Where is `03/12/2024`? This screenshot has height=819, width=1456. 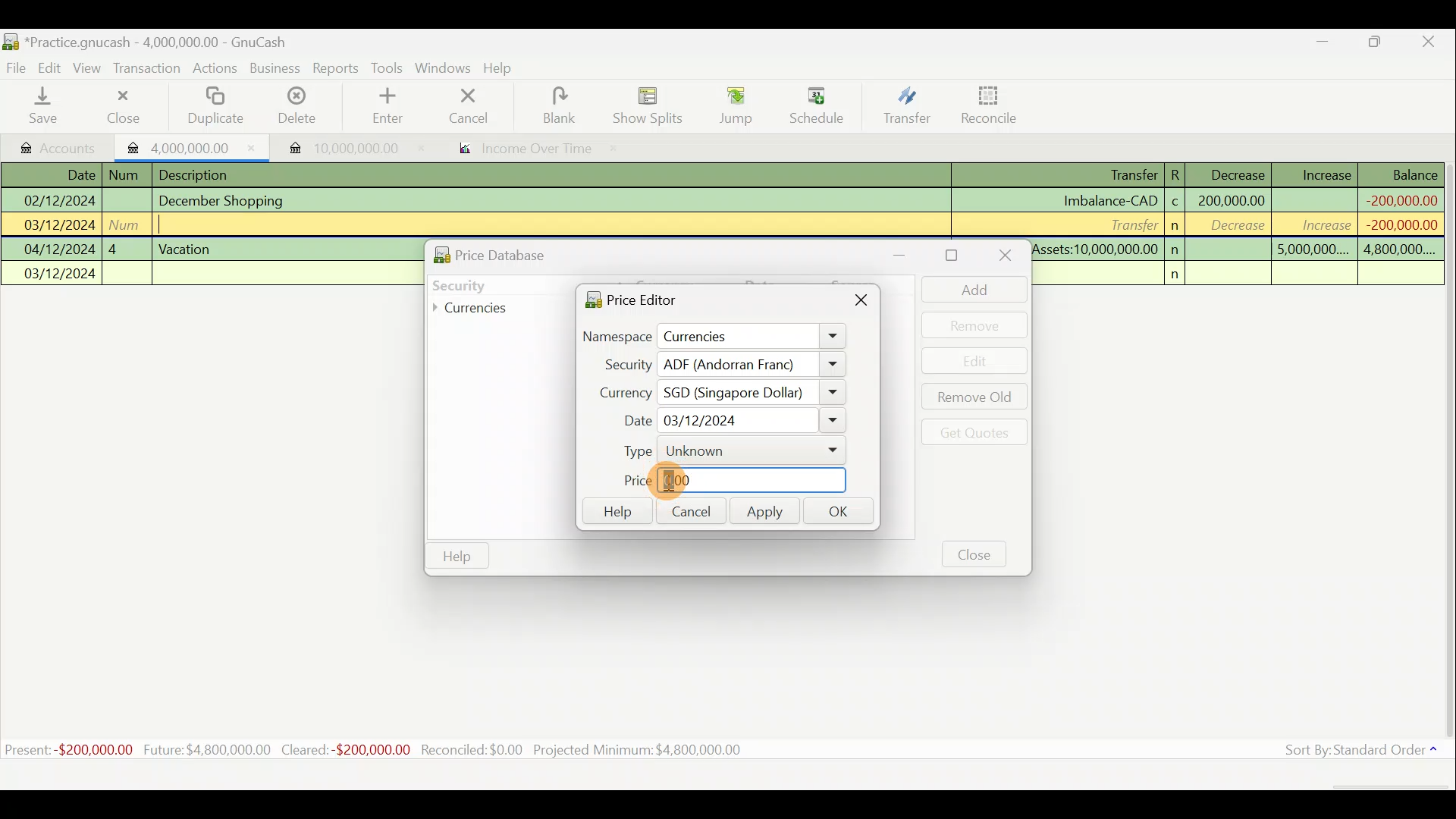 03/12/2024 is located at coordinates (61, 275).